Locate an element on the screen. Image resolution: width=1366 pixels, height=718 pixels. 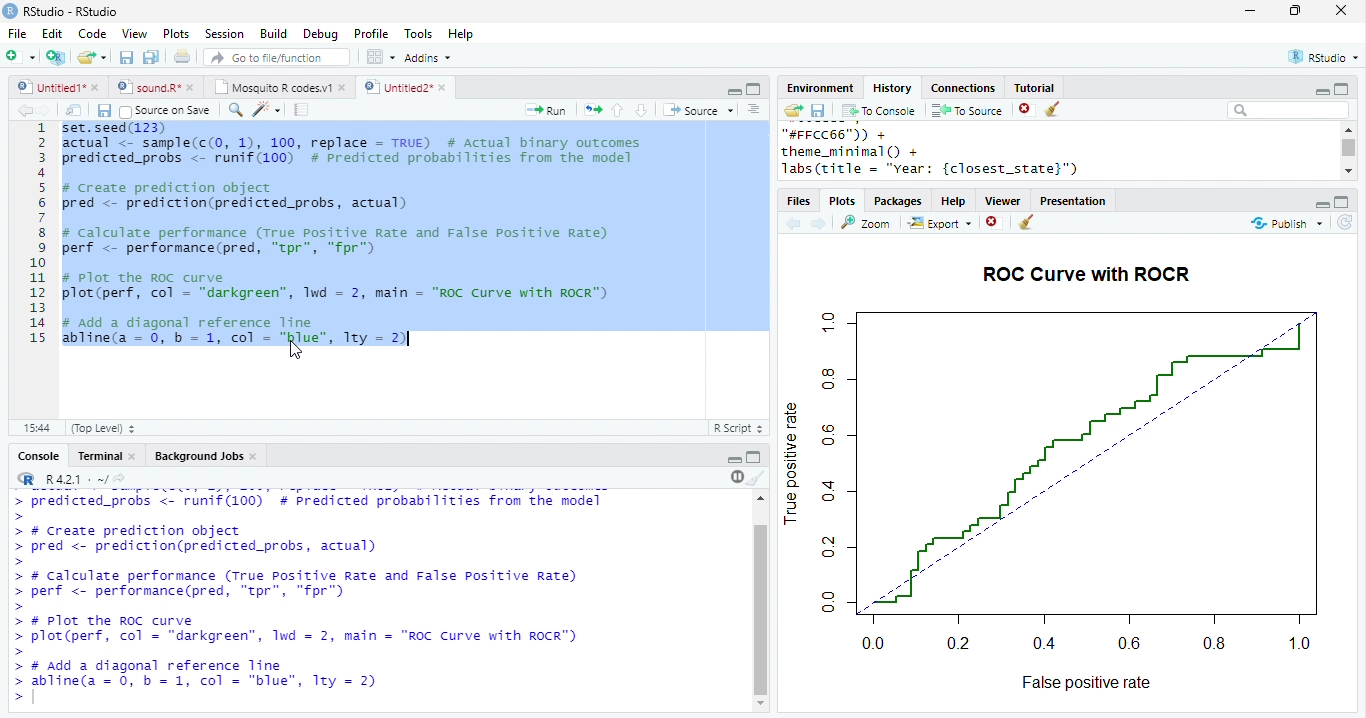
True positive rate is located at coordinates (793, 460).